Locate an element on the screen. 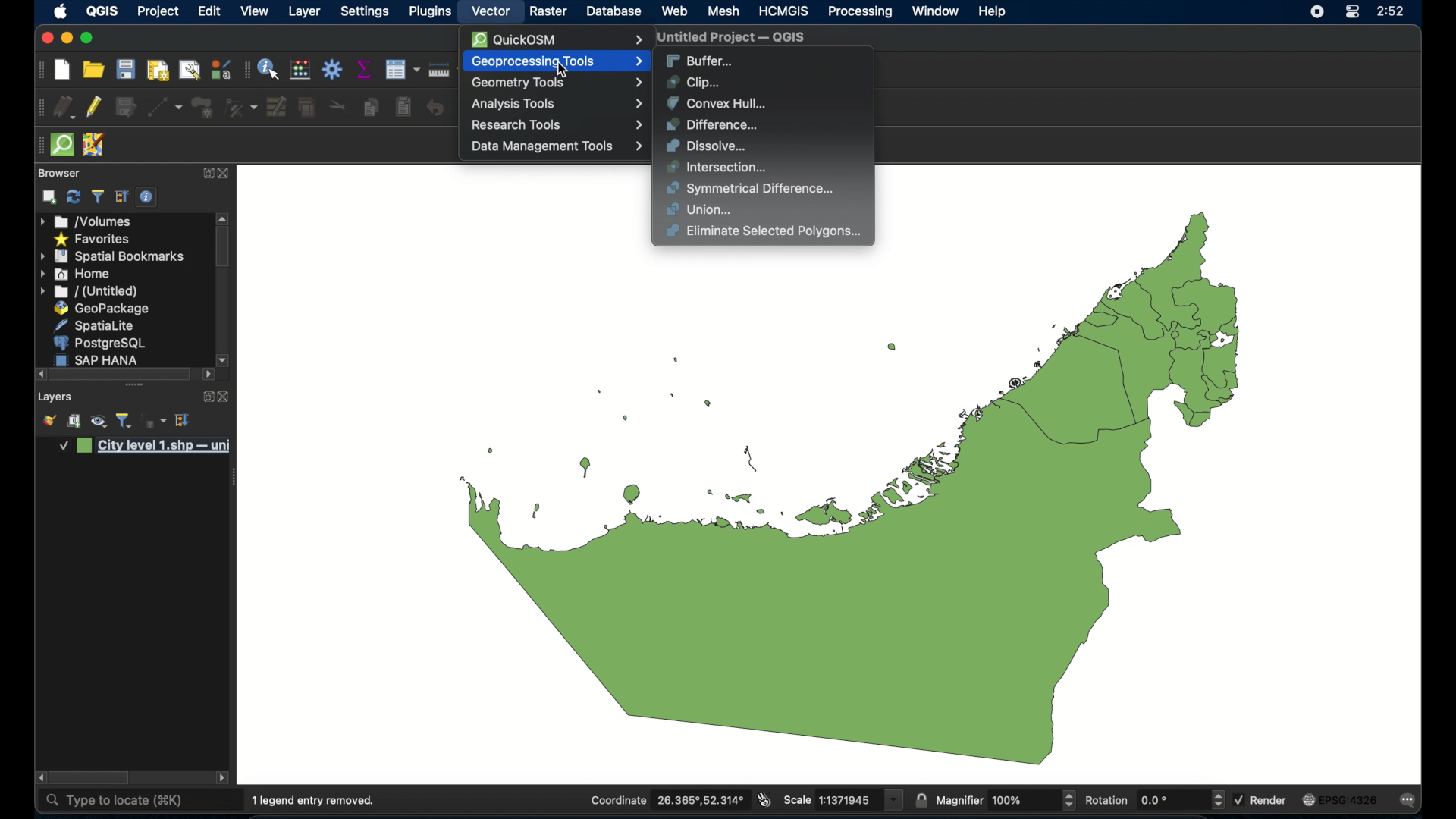  enable/disable properties widget is located at coordinates (146, 197).